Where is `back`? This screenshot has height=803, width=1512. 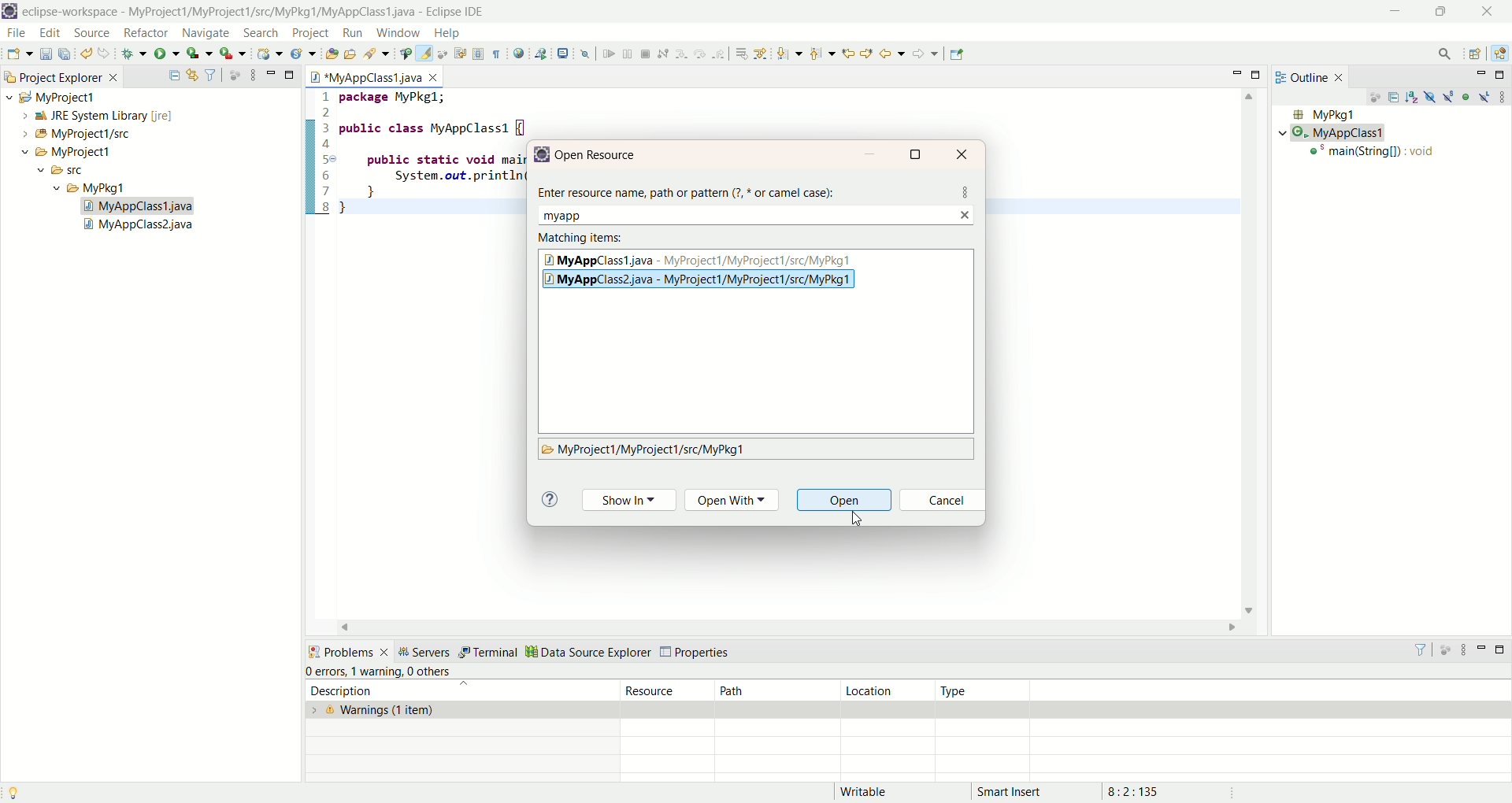
back is located at coordinates (892, 53).